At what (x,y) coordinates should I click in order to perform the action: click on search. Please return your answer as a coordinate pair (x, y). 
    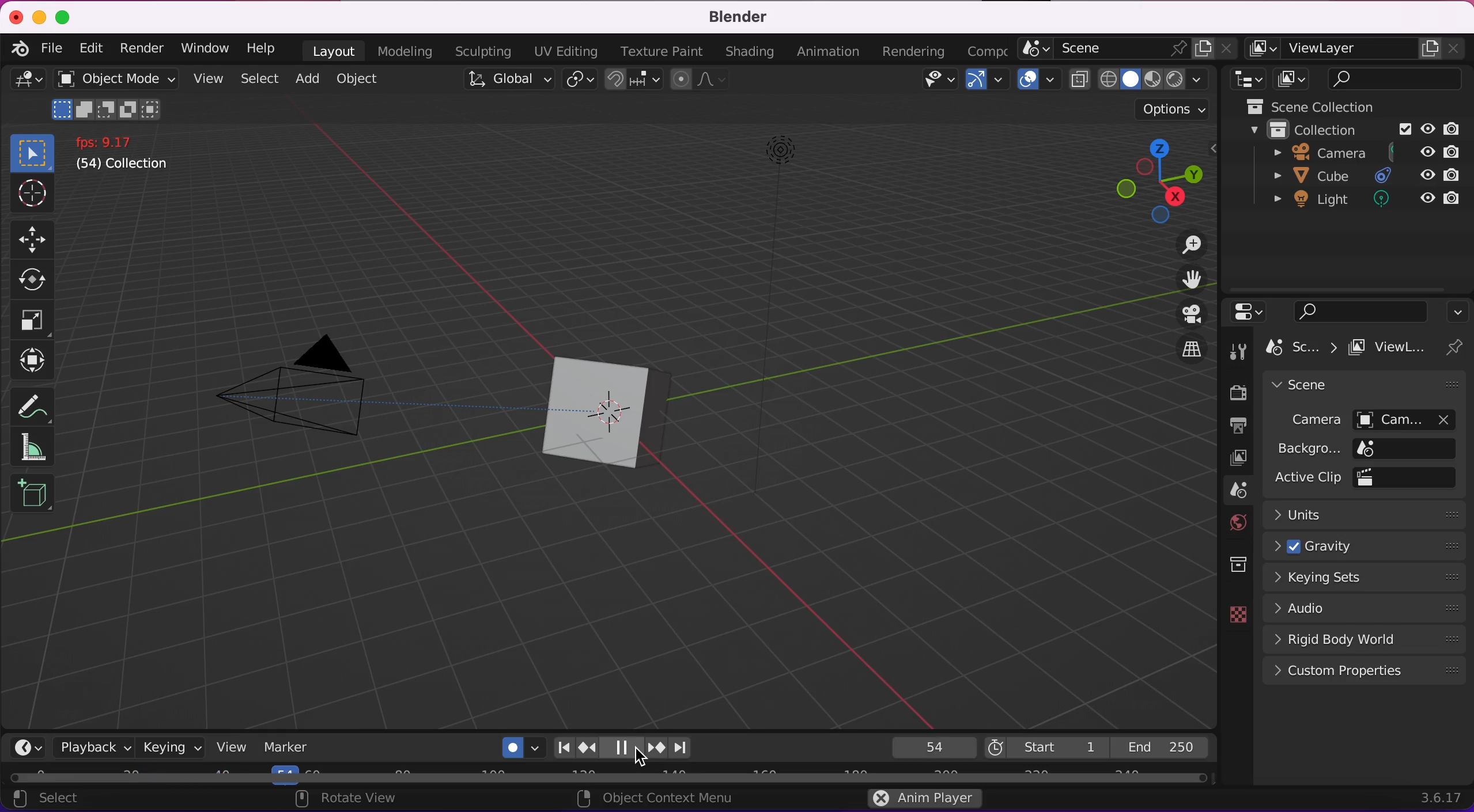
    Looking at the image, I should click on (1363, 311).